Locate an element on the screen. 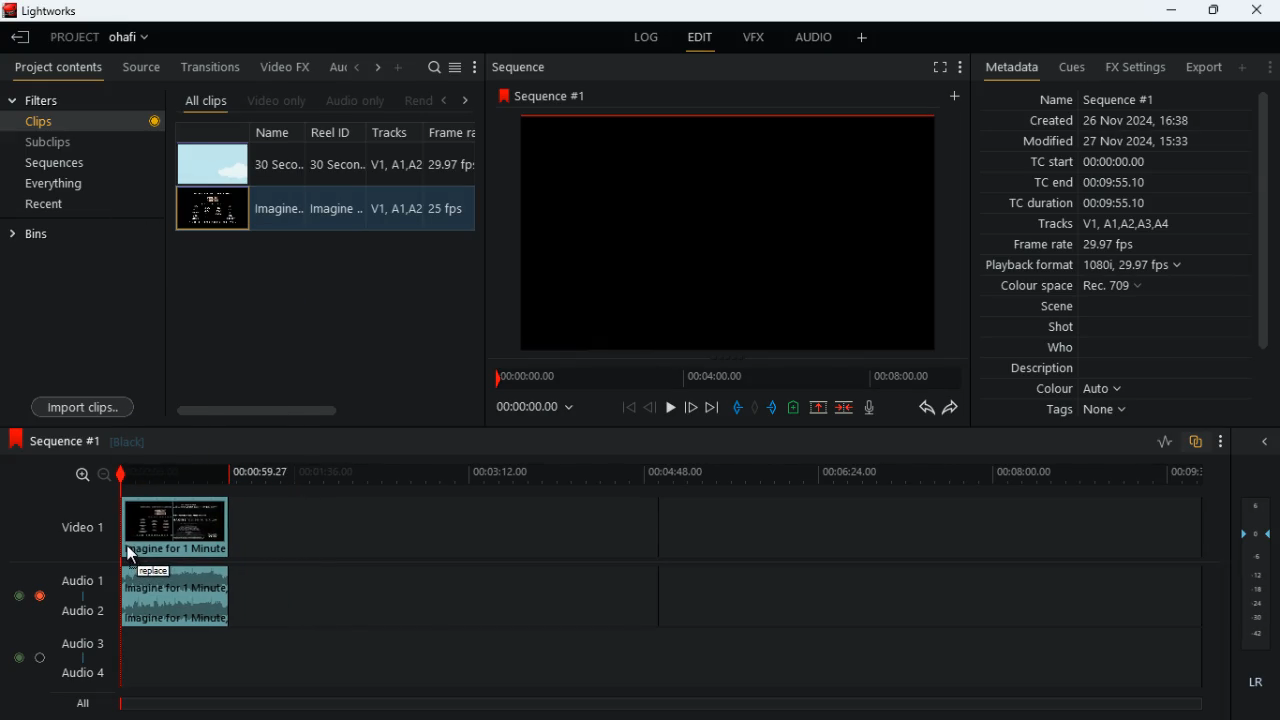  right is located at coordinates (379, 69).